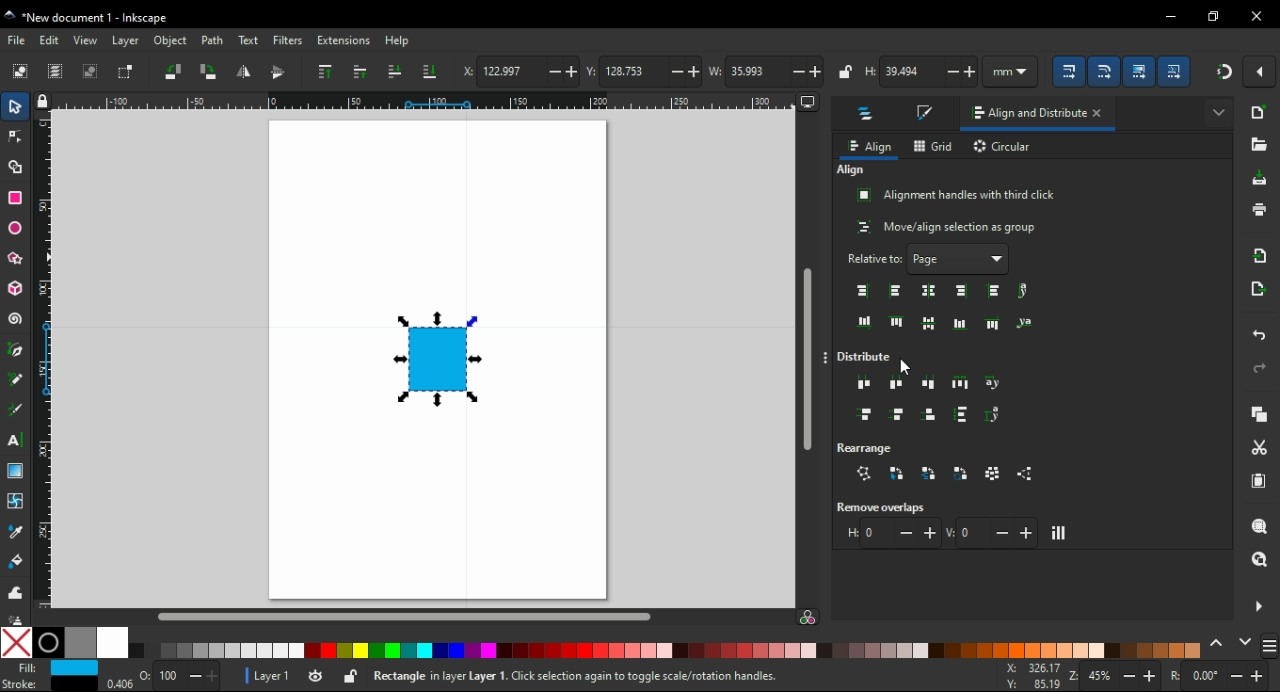 This screenshot has height=692, width=1280. What do you see at coordinates (441, 359) in the screenshot?
I see `shape` at bounding box center [441, 359].